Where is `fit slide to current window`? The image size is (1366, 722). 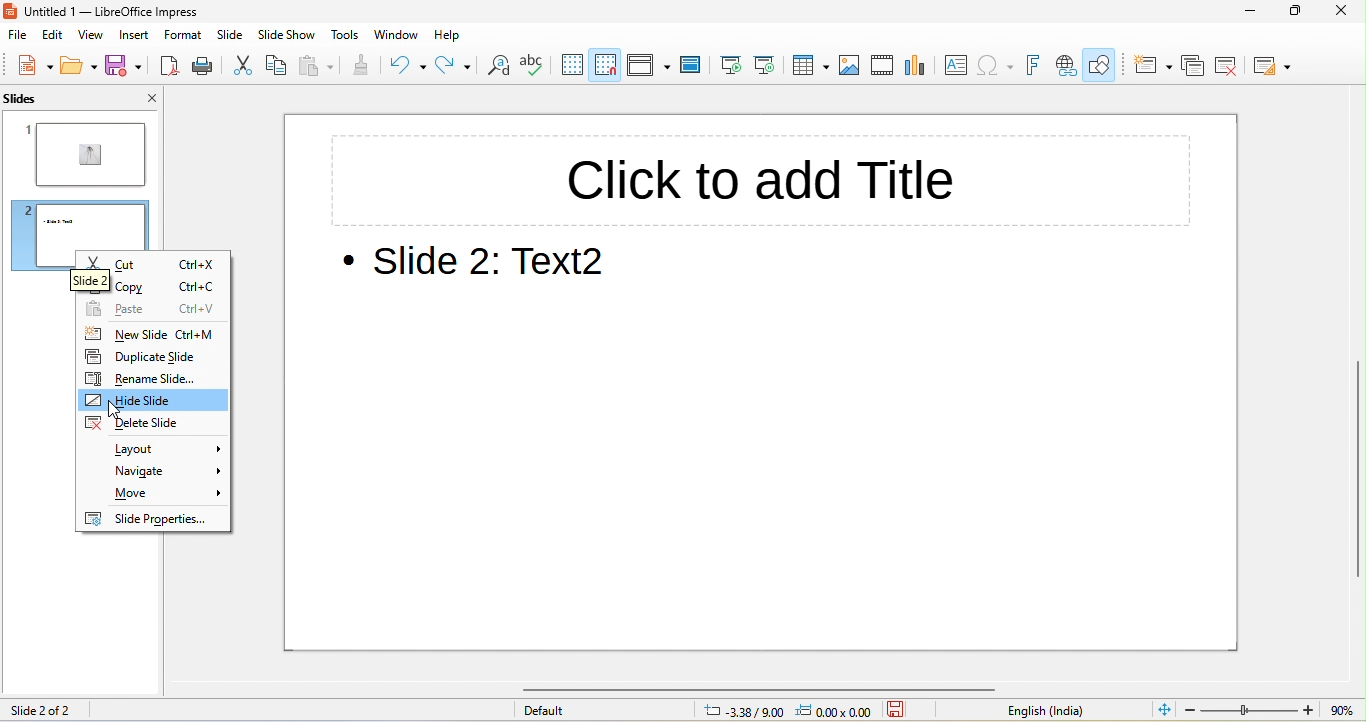
fit slide to current window is located at coordinates (1163, 710).